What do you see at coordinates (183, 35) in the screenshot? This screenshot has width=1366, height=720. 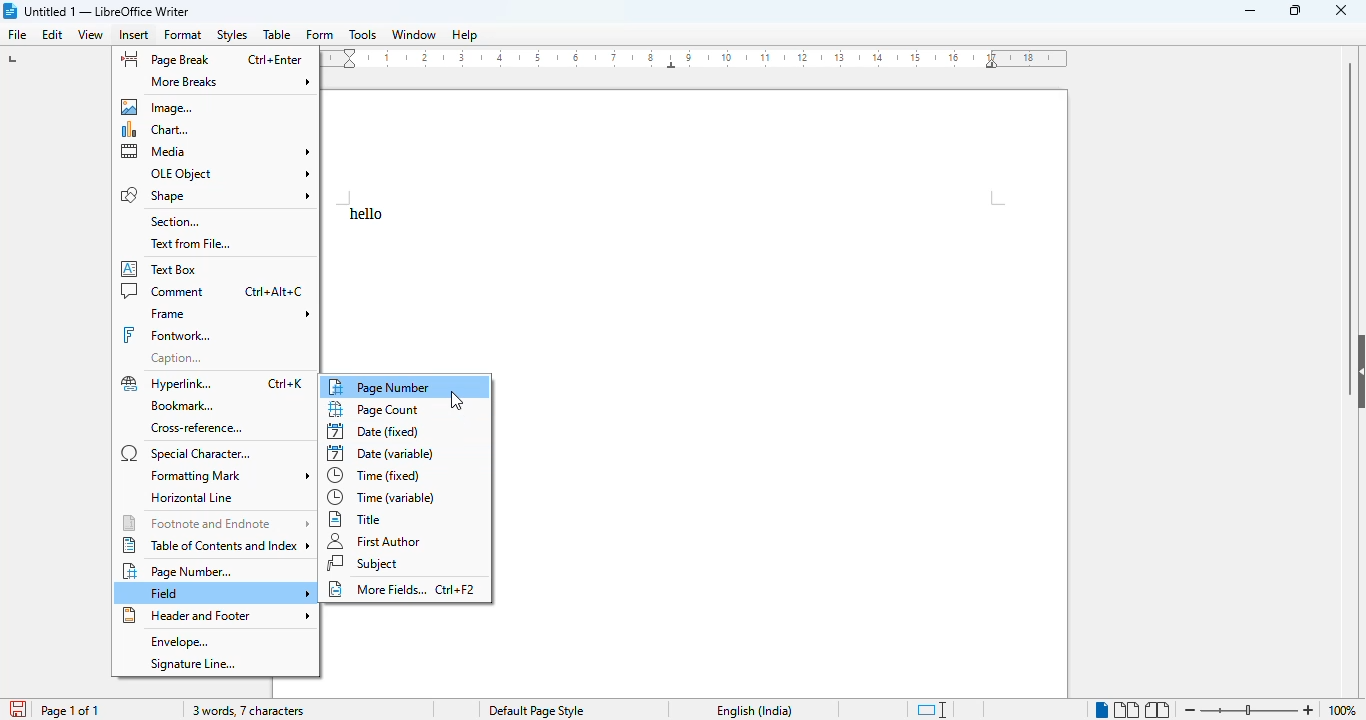 I see `format` at bounding box center [183, 35].